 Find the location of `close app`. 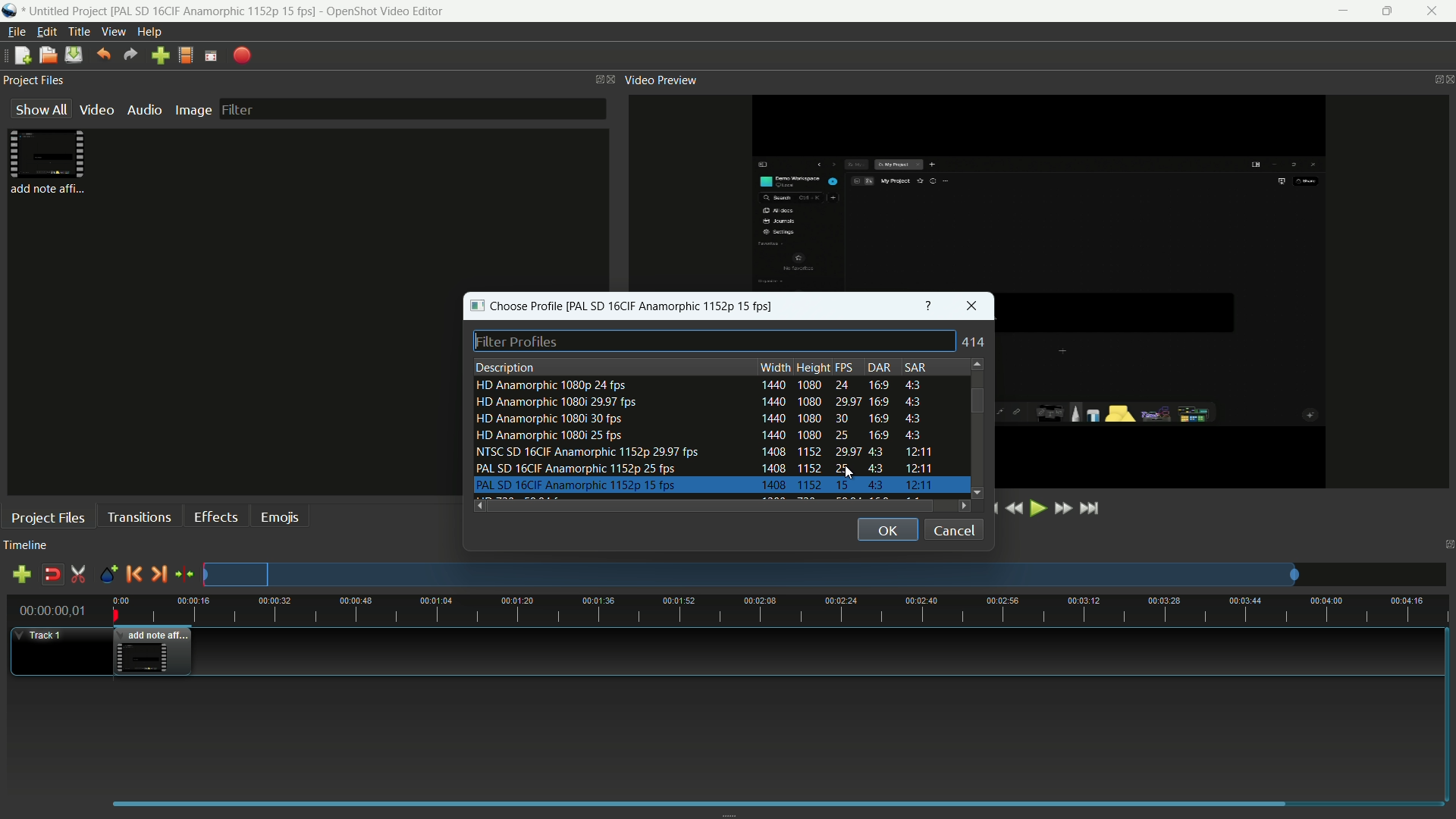

close app is located at coordinates (1436, 11).